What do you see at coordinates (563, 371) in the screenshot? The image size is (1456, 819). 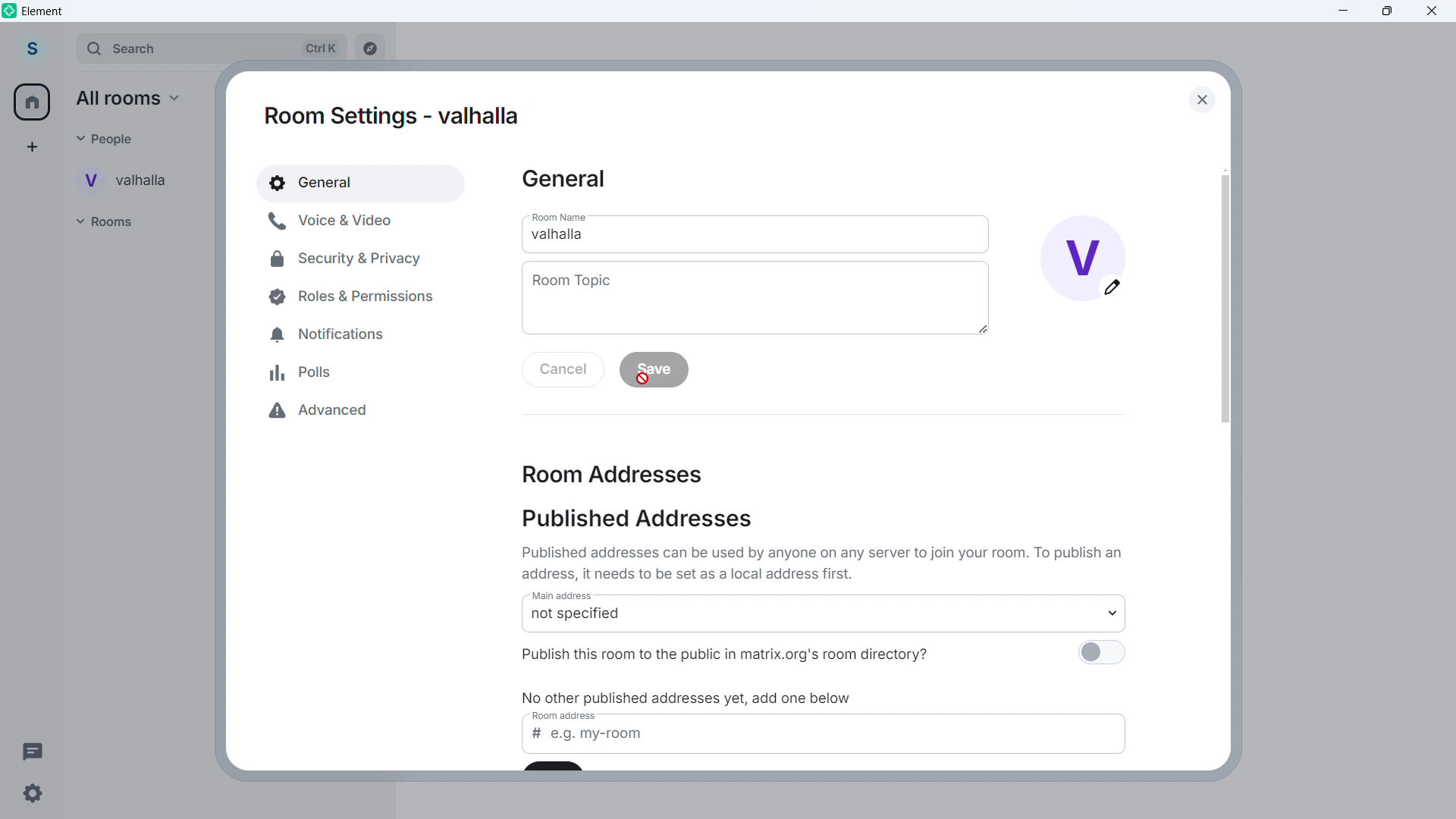 I see `Cancel ` at bounding box center [563, 371].